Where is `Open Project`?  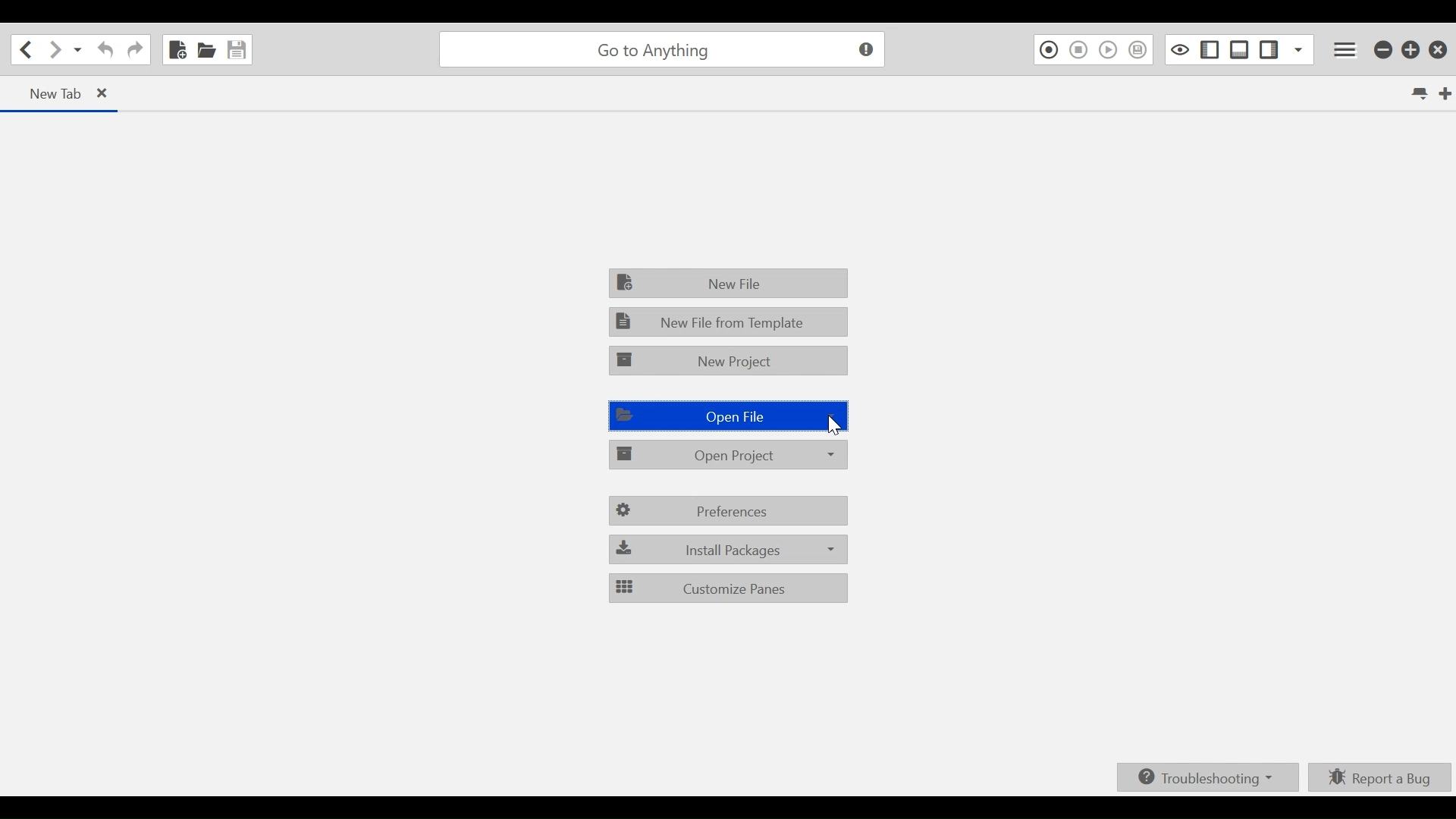 Open Project is located at coordinates (730, 455).